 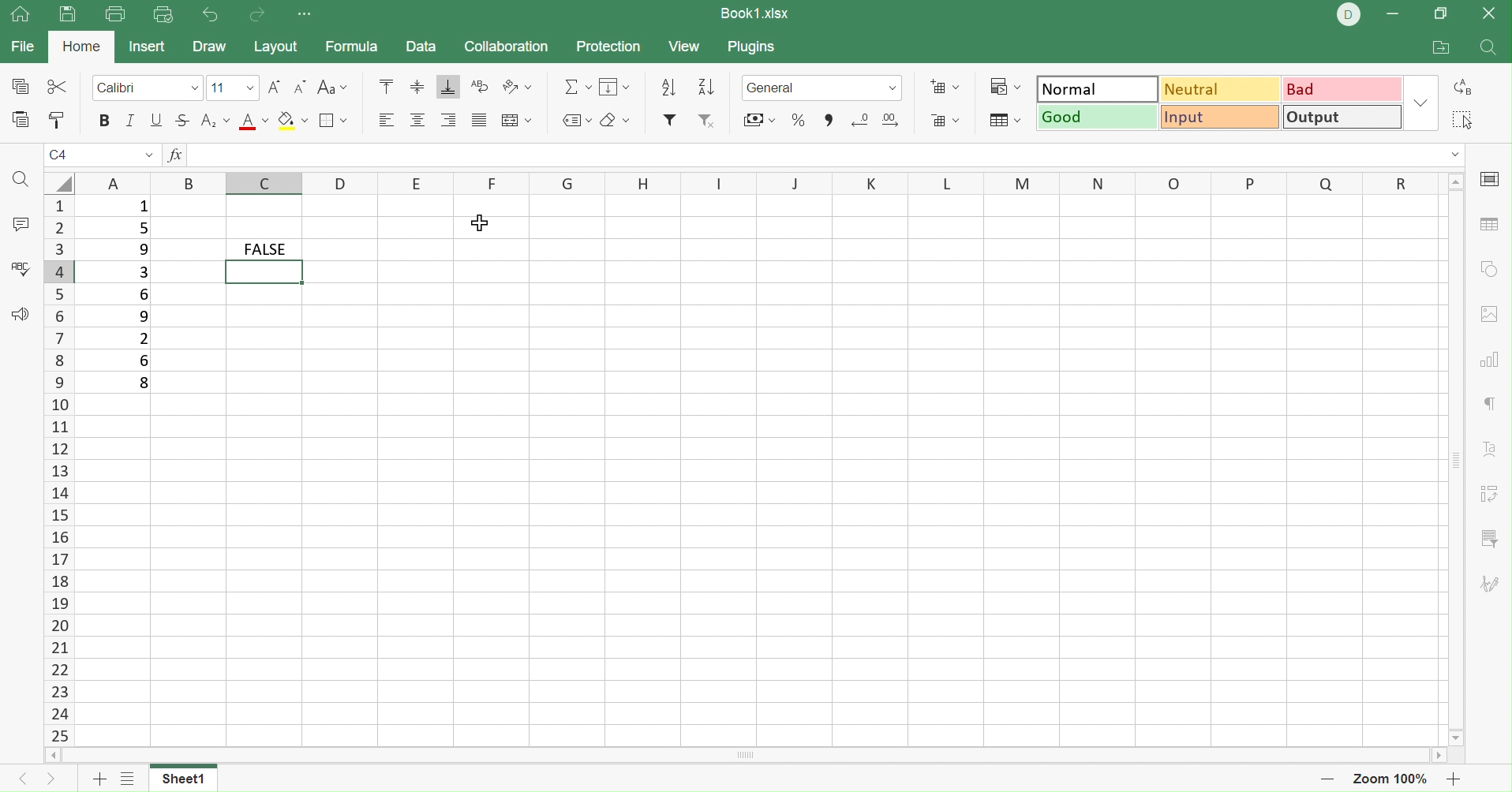 What do you see at coordinates (331, 121) in the screenshot?
I see `Borders` at bounding box center [331, 121].